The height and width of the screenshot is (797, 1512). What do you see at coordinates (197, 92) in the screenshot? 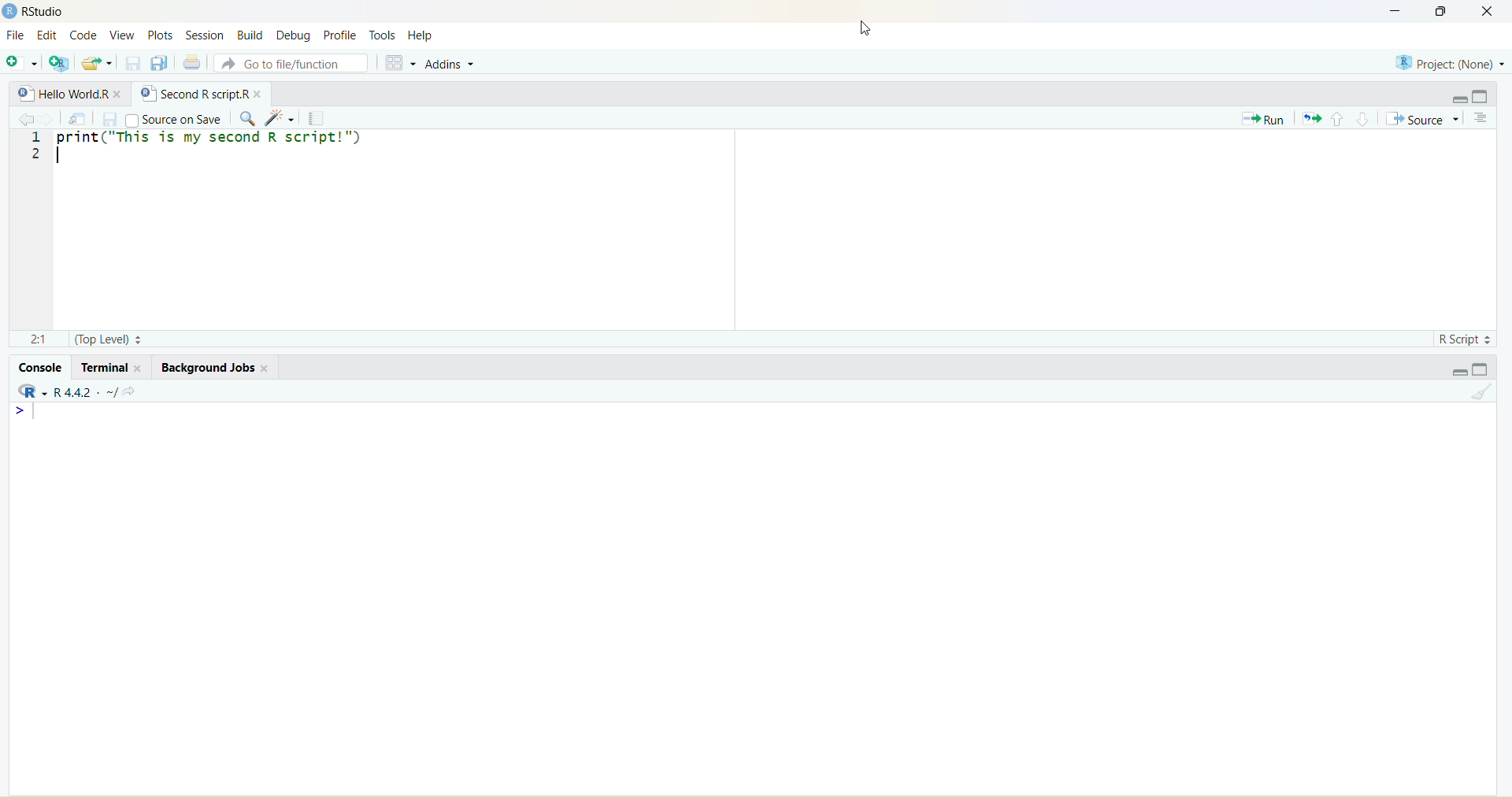
I see `Second R Script.R` at bounding box center [197, 92].